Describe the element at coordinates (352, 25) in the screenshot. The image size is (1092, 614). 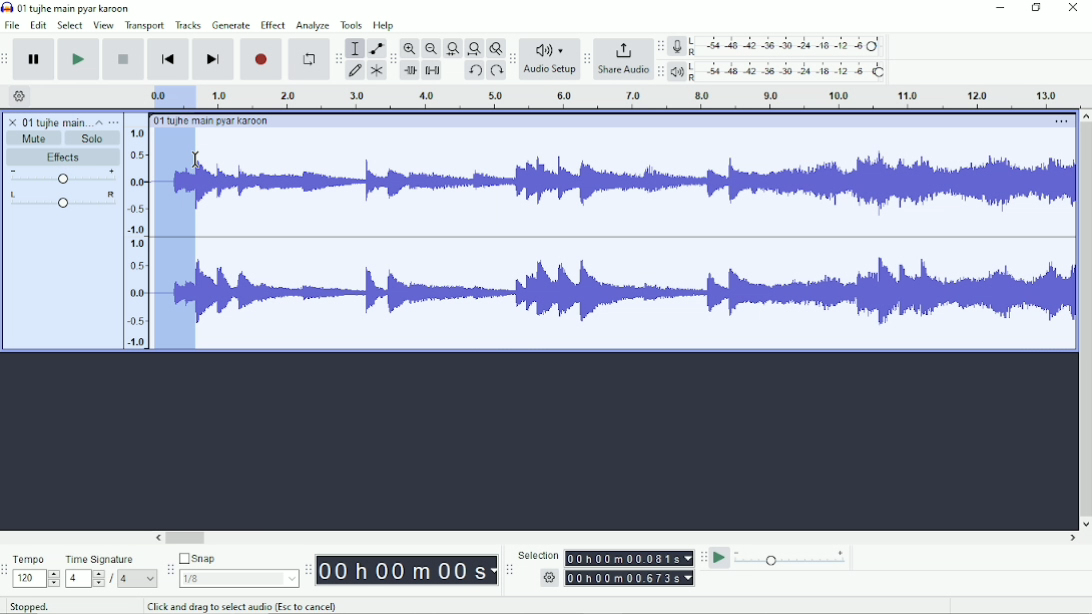
I see `Tools` at that location.